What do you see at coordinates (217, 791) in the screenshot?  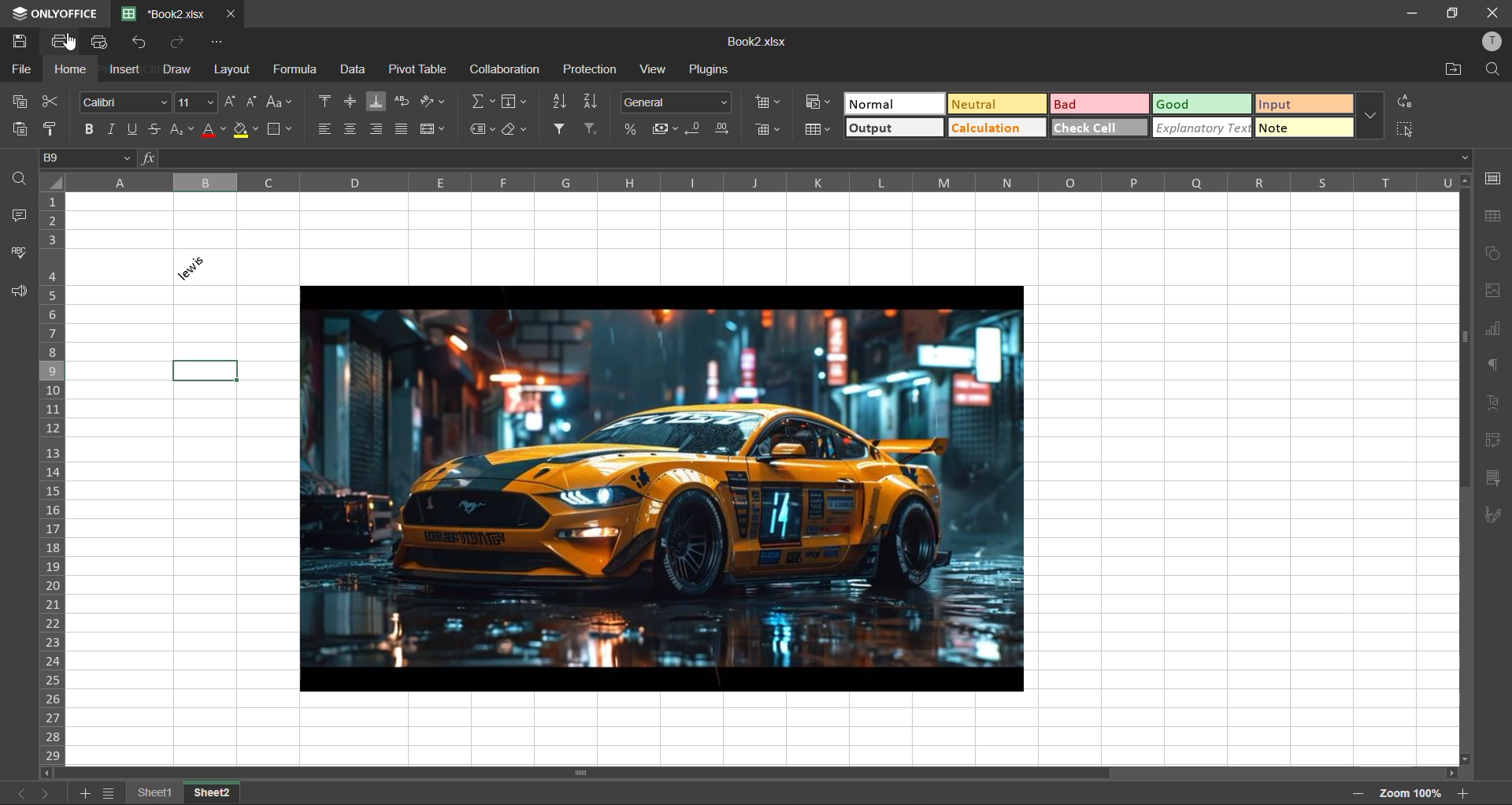 I see `Sheet2` at bounding box center [217, 791].